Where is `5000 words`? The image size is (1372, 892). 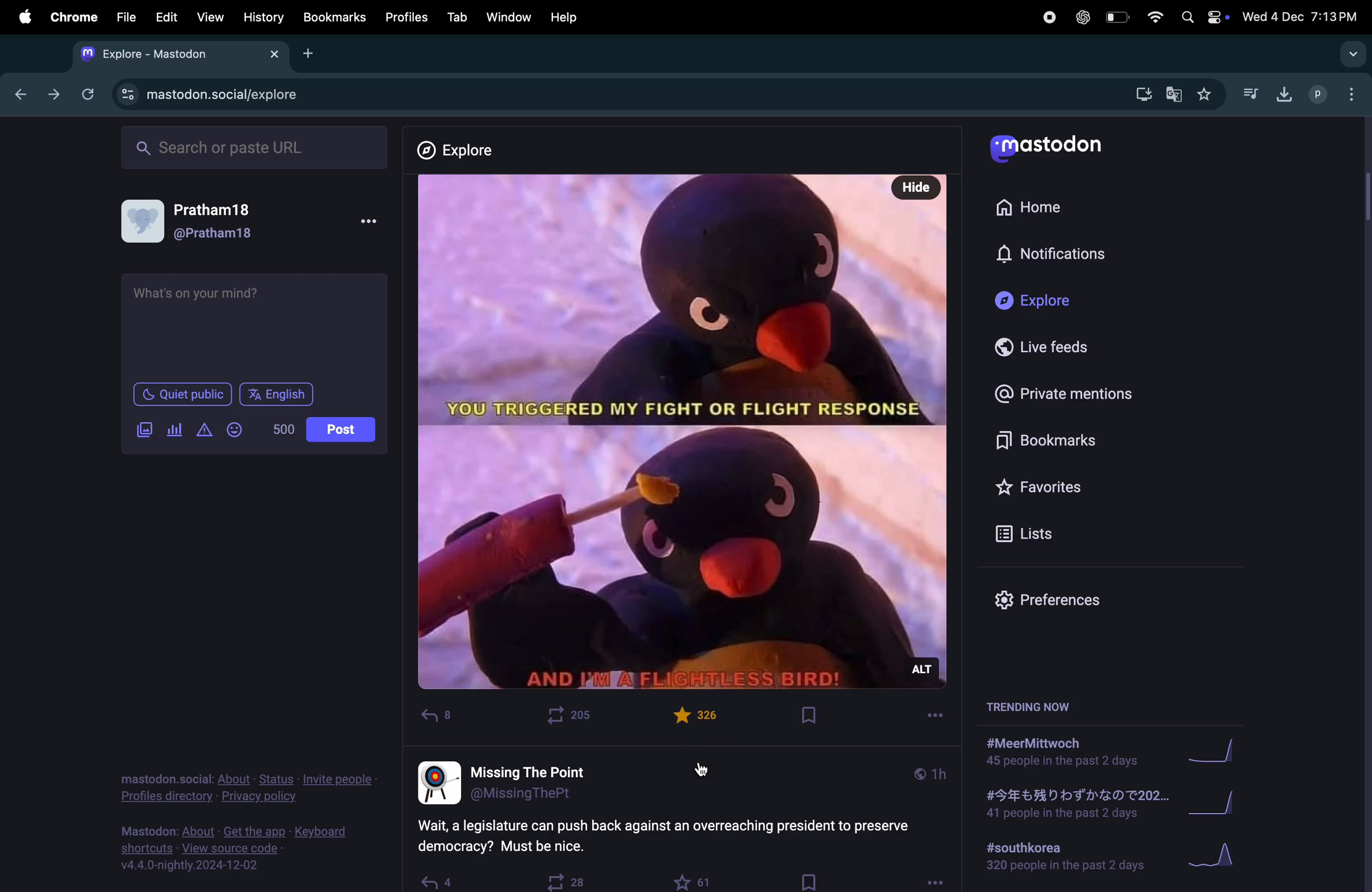
5000 words is located at coordinates (285, 426).